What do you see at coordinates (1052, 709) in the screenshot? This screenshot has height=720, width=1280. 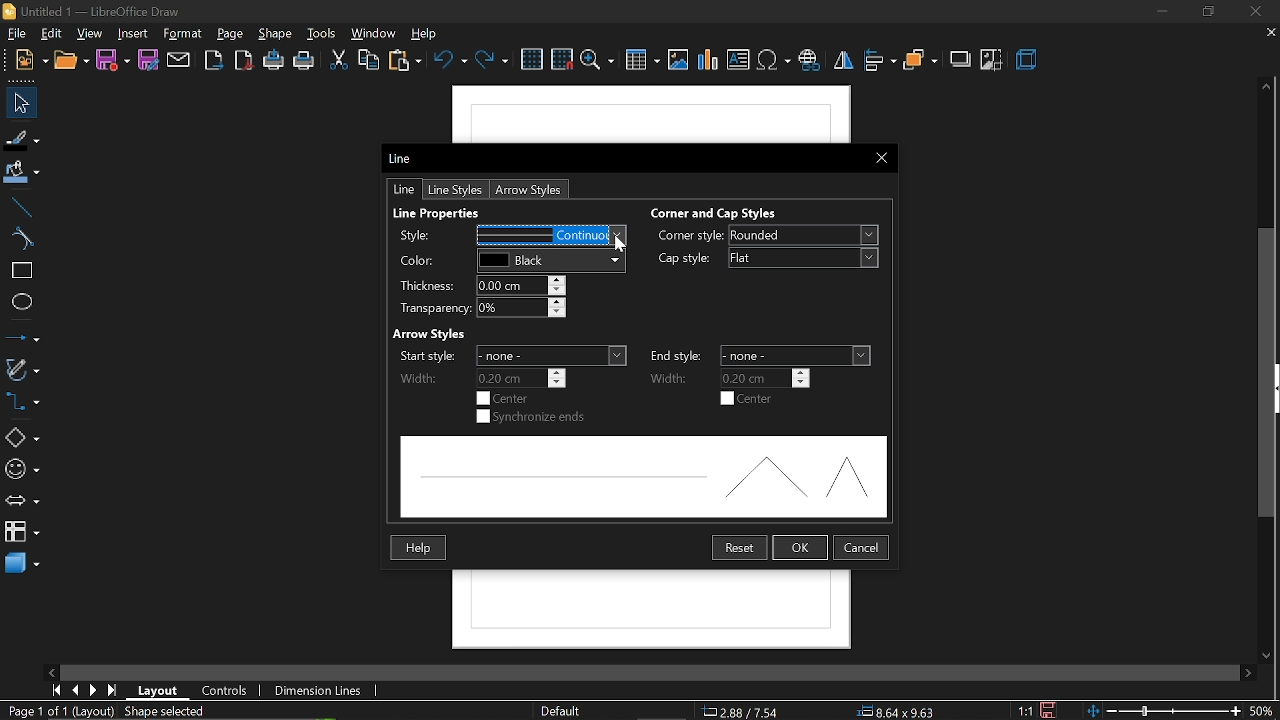 I see `save` at bounding box center [1052, 709].